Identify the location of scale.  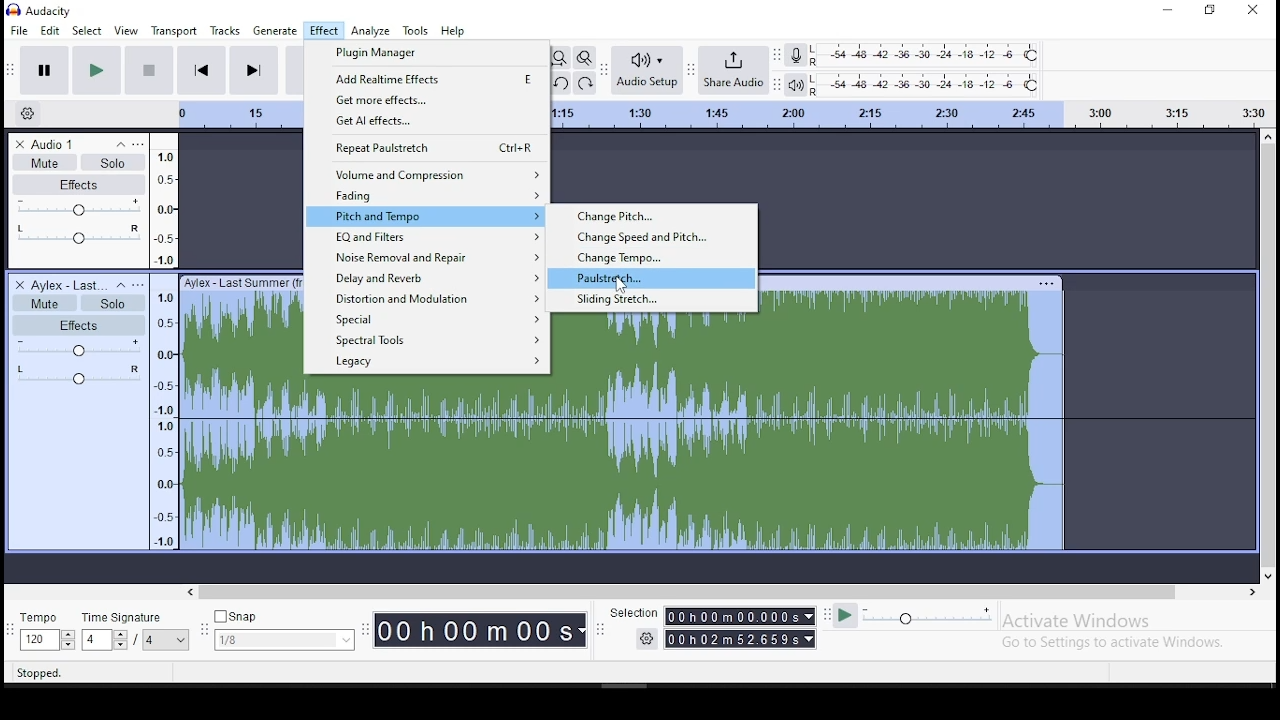
(912, 112).